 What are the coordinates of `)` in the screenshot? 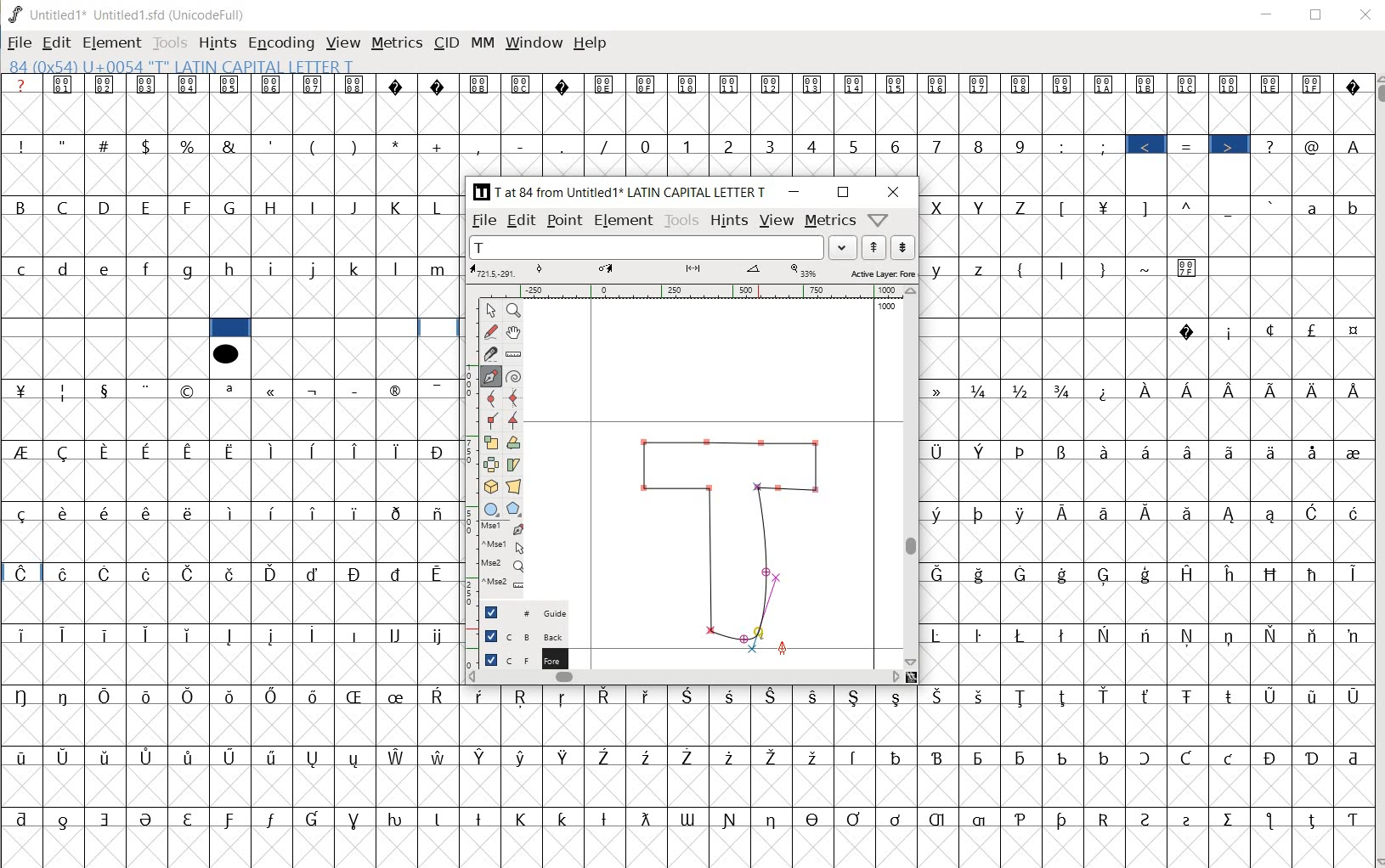 It's located at (356, 146).